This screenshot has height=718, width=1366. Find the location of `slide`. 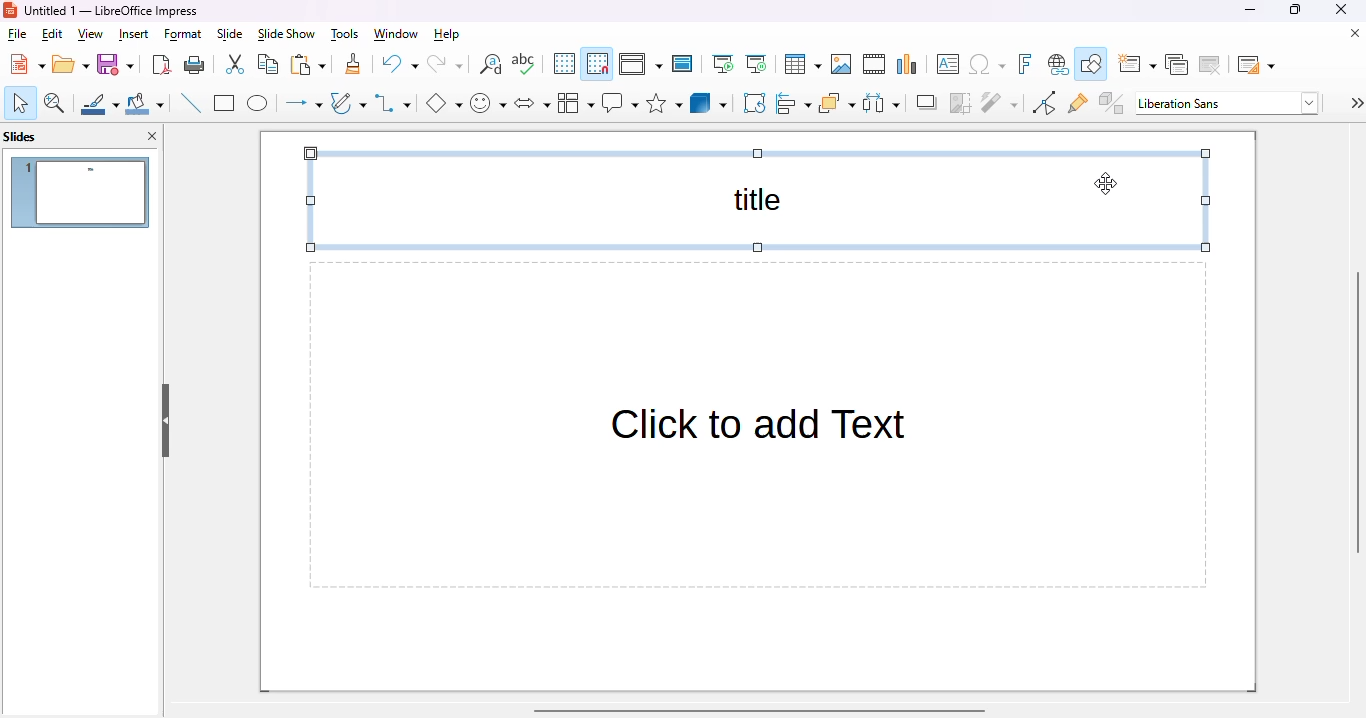

slide is located at coordinates (231, 35).